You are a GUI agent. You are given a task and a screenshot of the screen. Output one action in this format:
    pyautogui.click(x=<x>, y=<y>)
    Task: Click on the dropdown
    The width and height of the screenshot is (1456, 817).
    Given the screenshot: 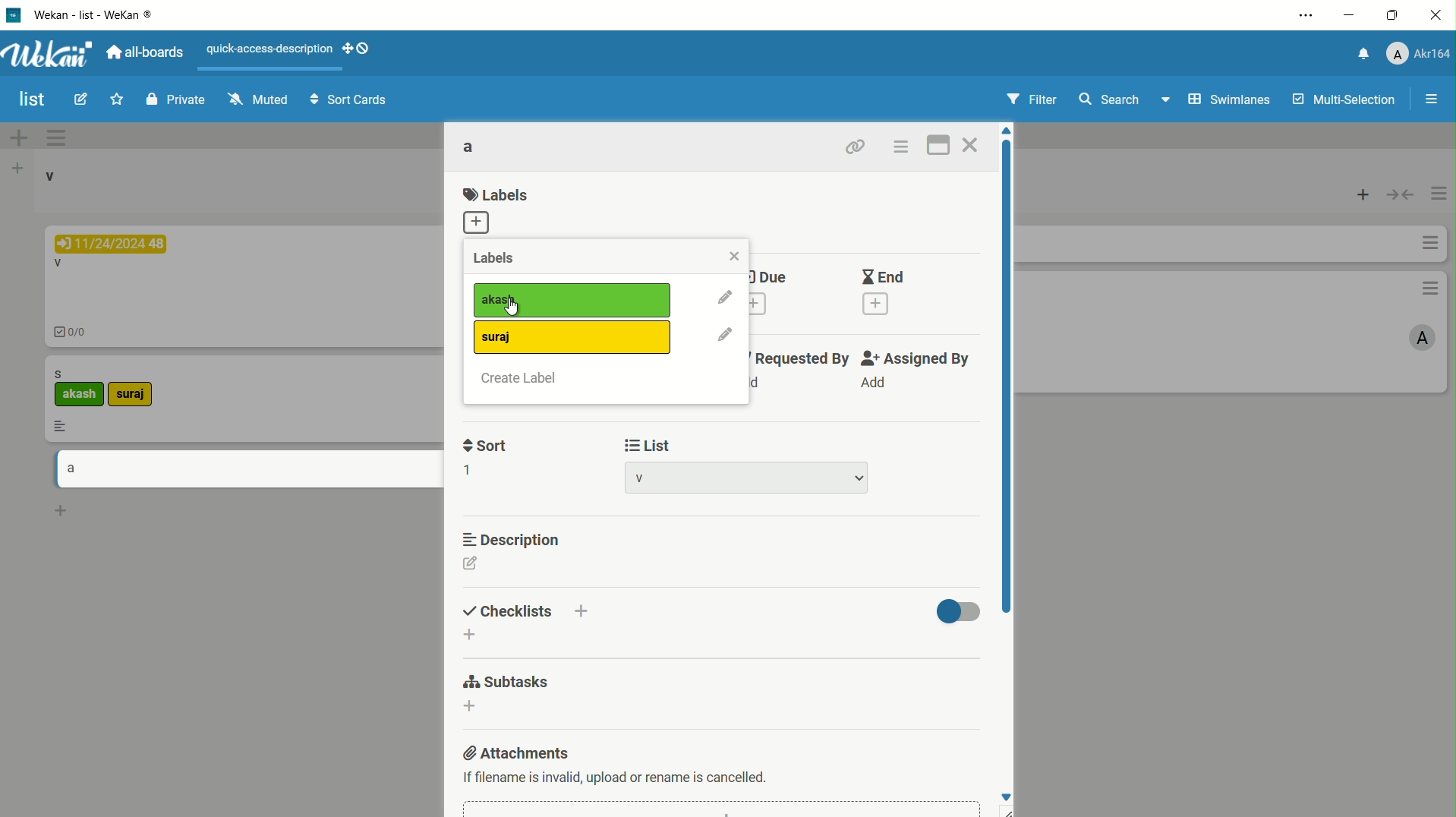 What is the action you would take?
    pyautogui.click(x=859, y=480)
    